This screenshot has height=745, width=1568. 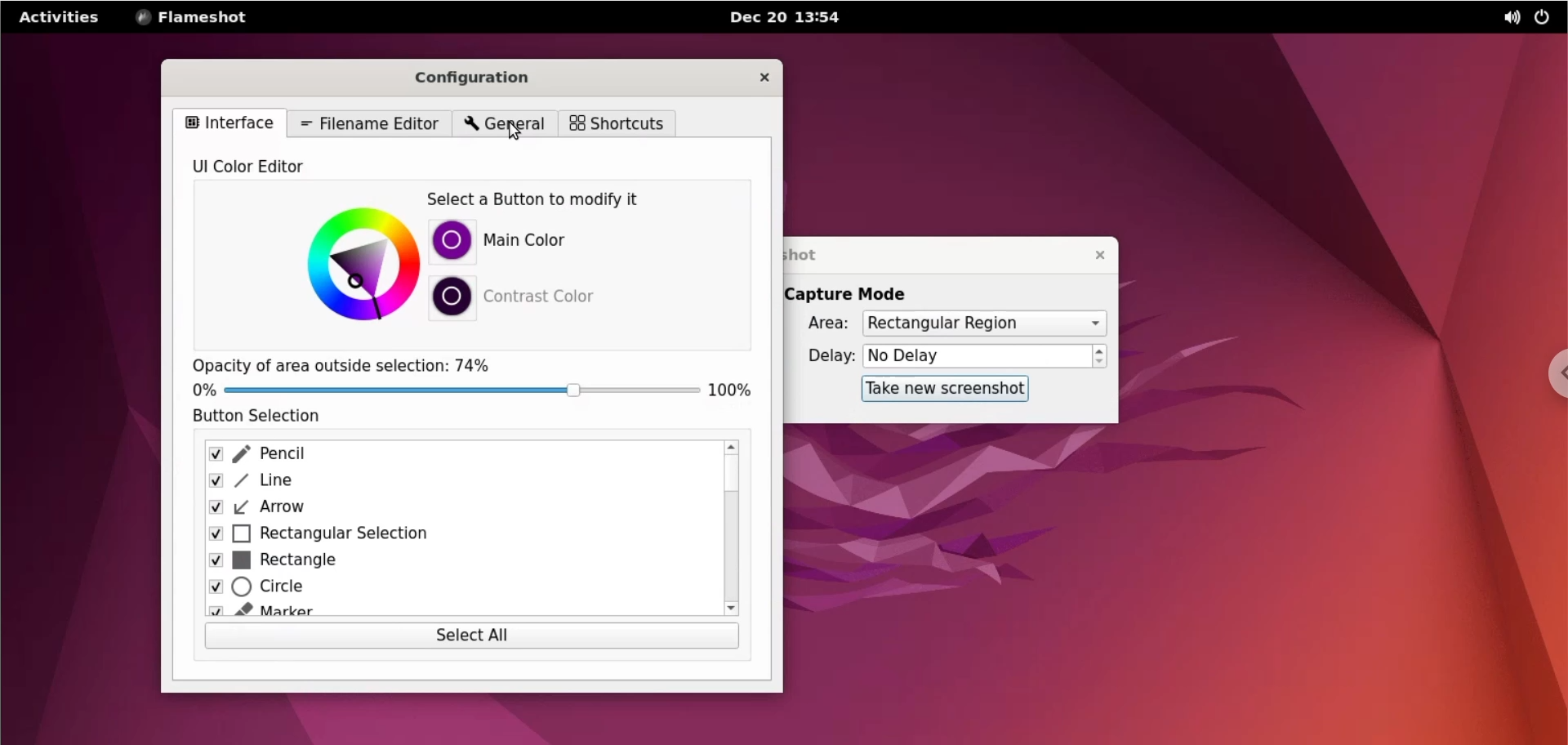 I want to click on marker checkbox, so click(x=458, y=611).